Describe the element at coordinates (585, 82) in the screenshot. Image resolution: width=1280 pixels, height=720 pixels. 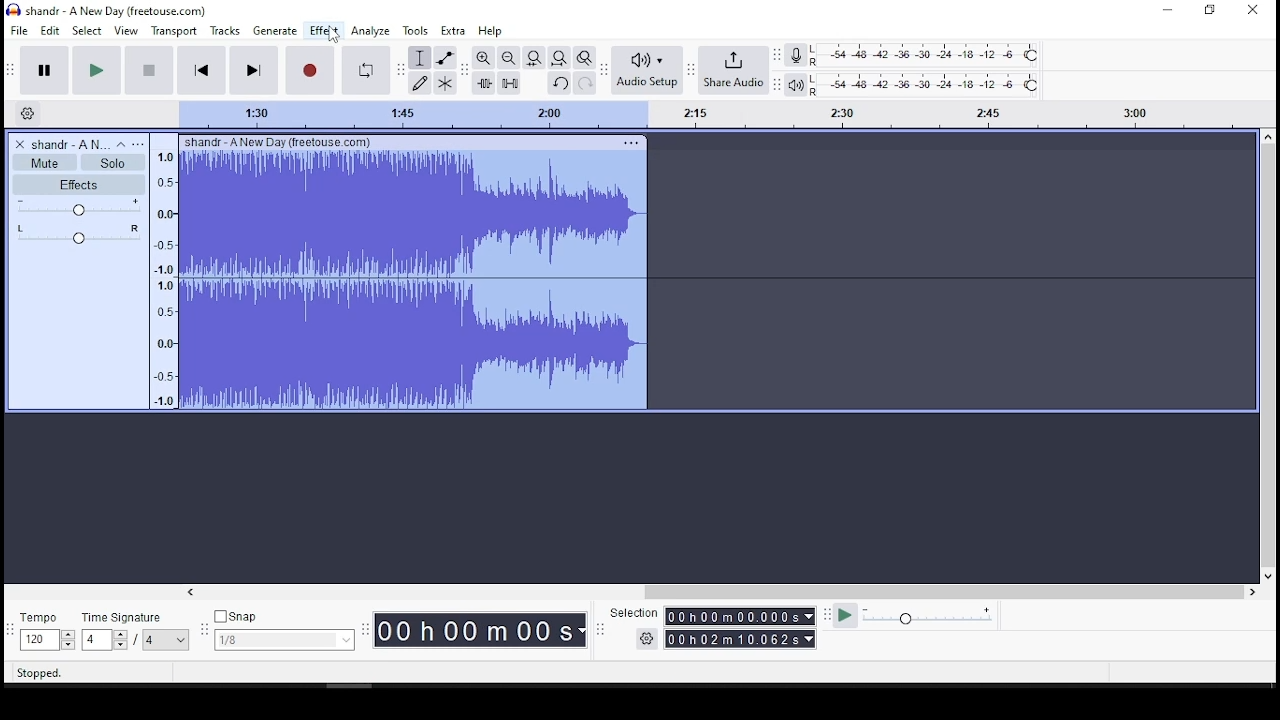
I see `redo` at that location.